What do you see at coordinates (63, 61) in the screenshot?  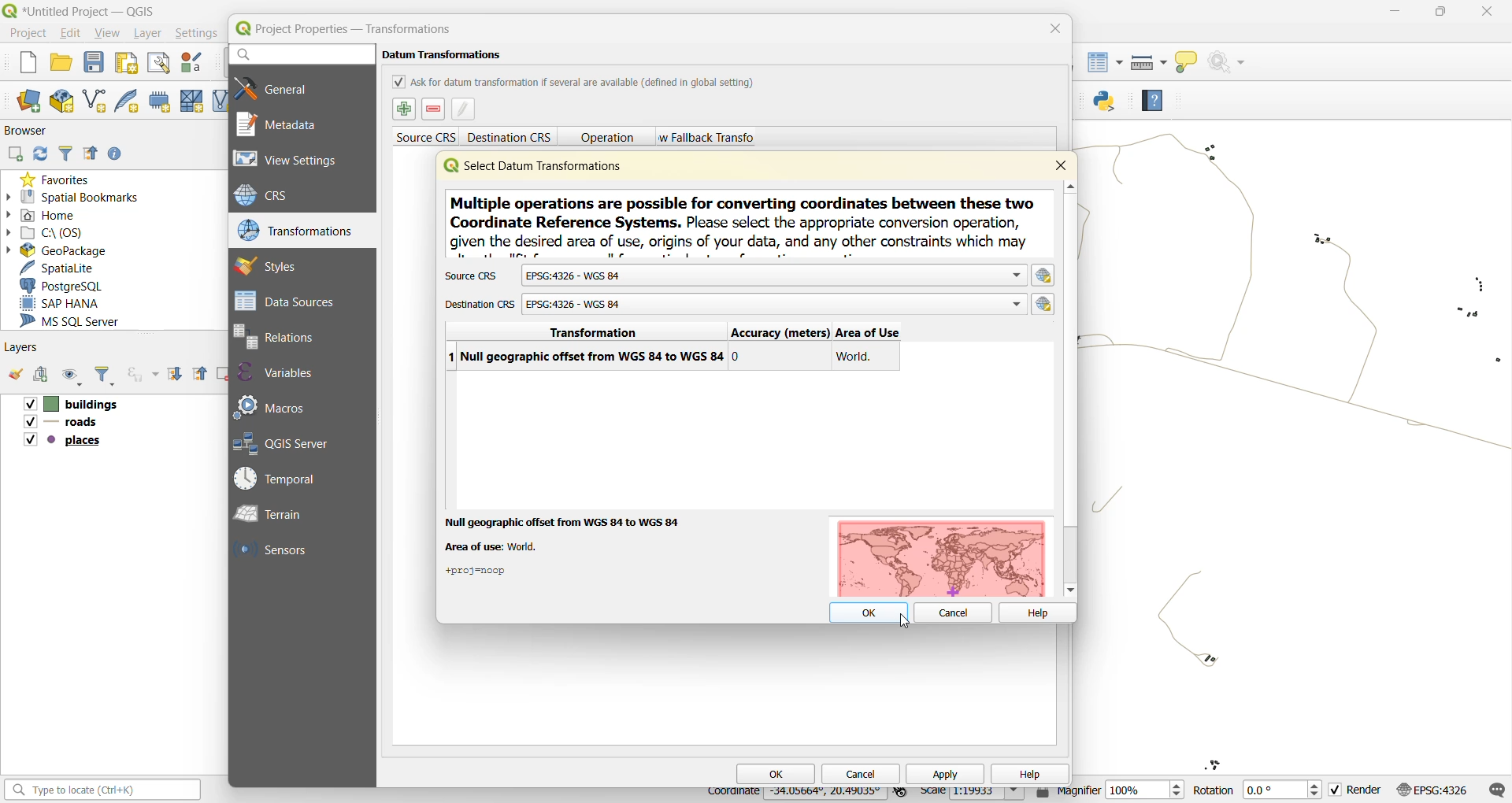 I see `open` at bounding box center [63, 61].